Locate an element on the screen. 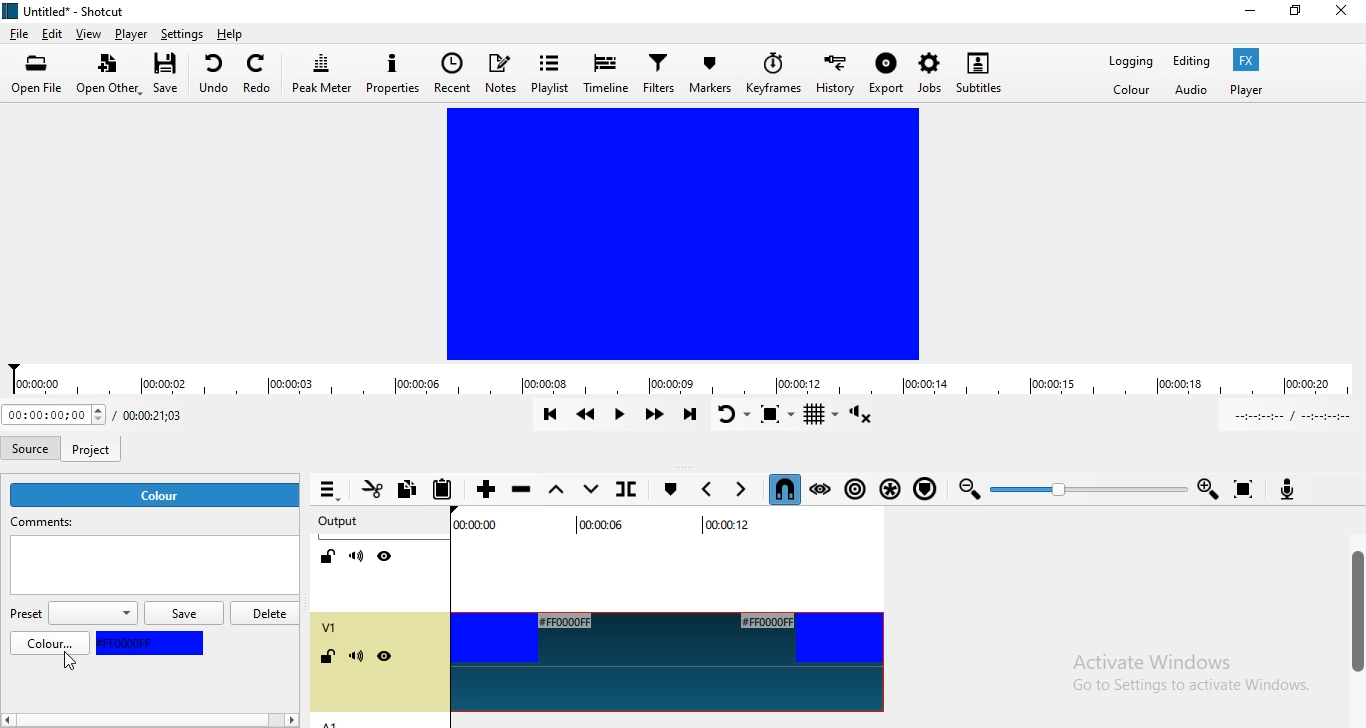 Image resolution: width=1366 pixels, height=728 pixels. Zoom out is located at coordinates (967, 489).